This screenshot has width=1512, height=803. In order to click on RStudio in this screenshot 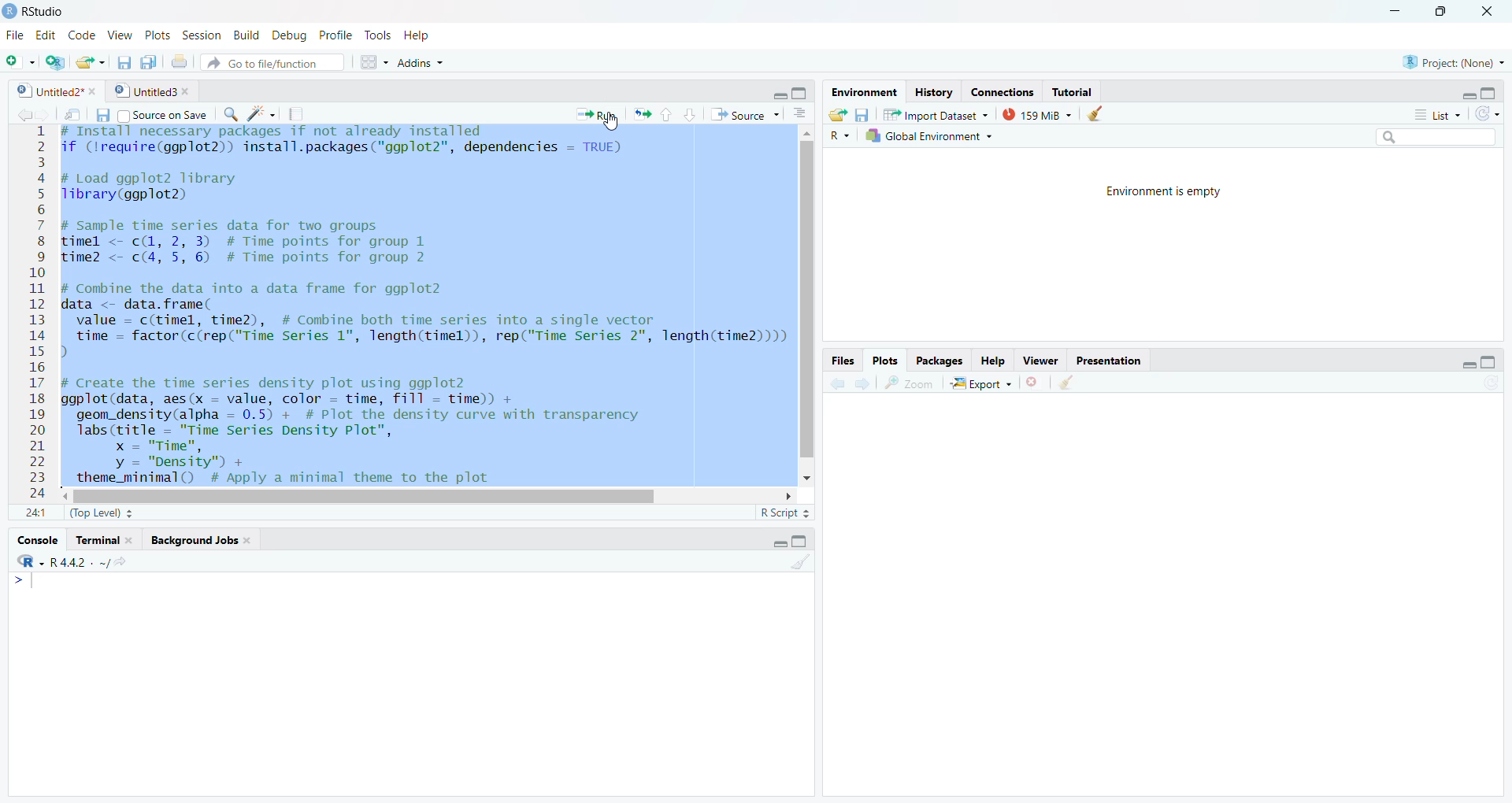, I will do `click(36, 12)`.